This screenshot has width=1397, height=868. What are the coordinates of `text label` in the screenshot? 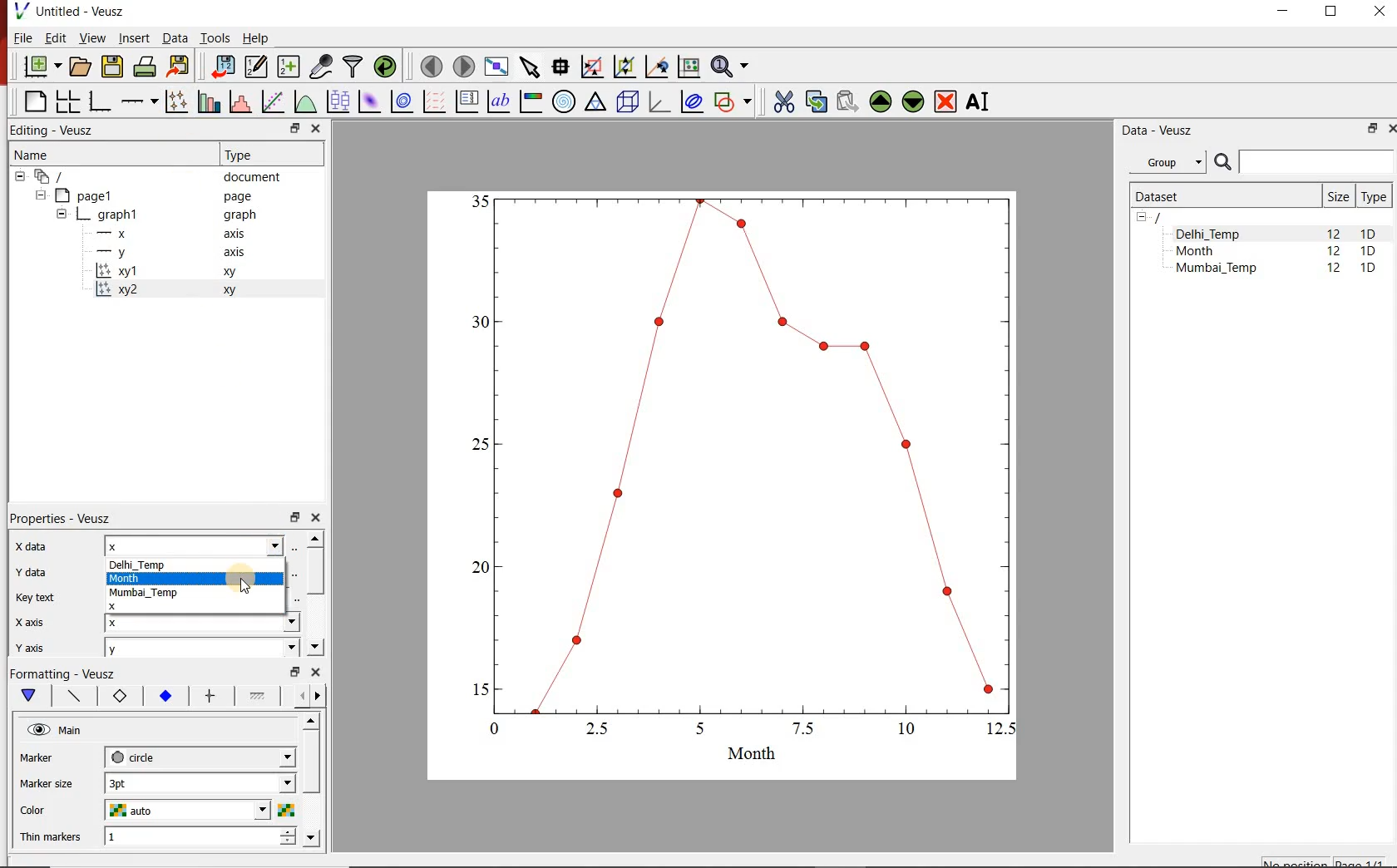 It's located at (498, 101).